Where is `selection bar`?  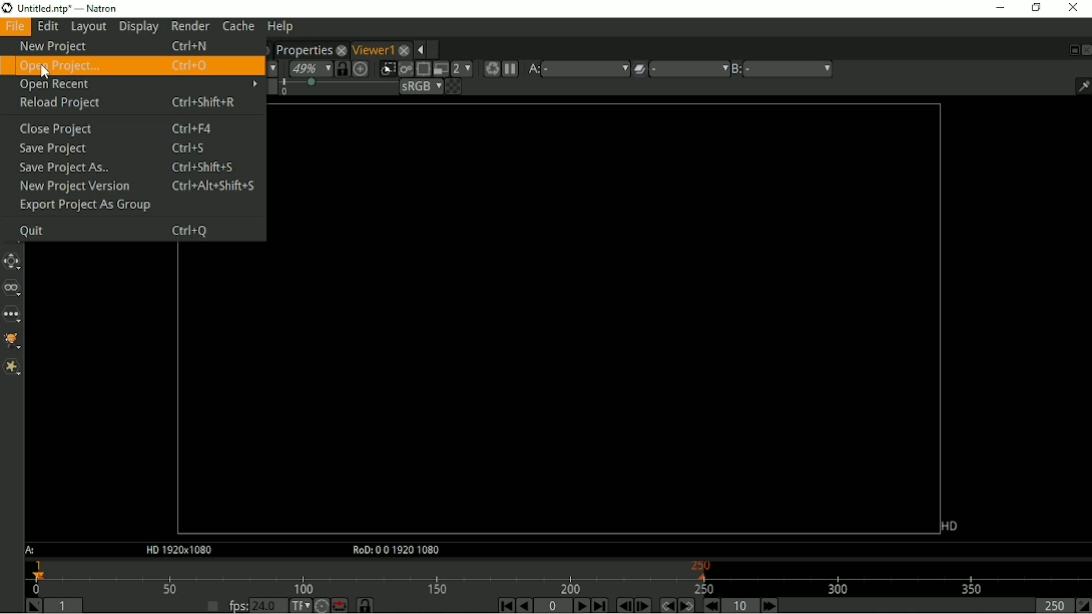
selection bar is located at coordinates (337, 87).